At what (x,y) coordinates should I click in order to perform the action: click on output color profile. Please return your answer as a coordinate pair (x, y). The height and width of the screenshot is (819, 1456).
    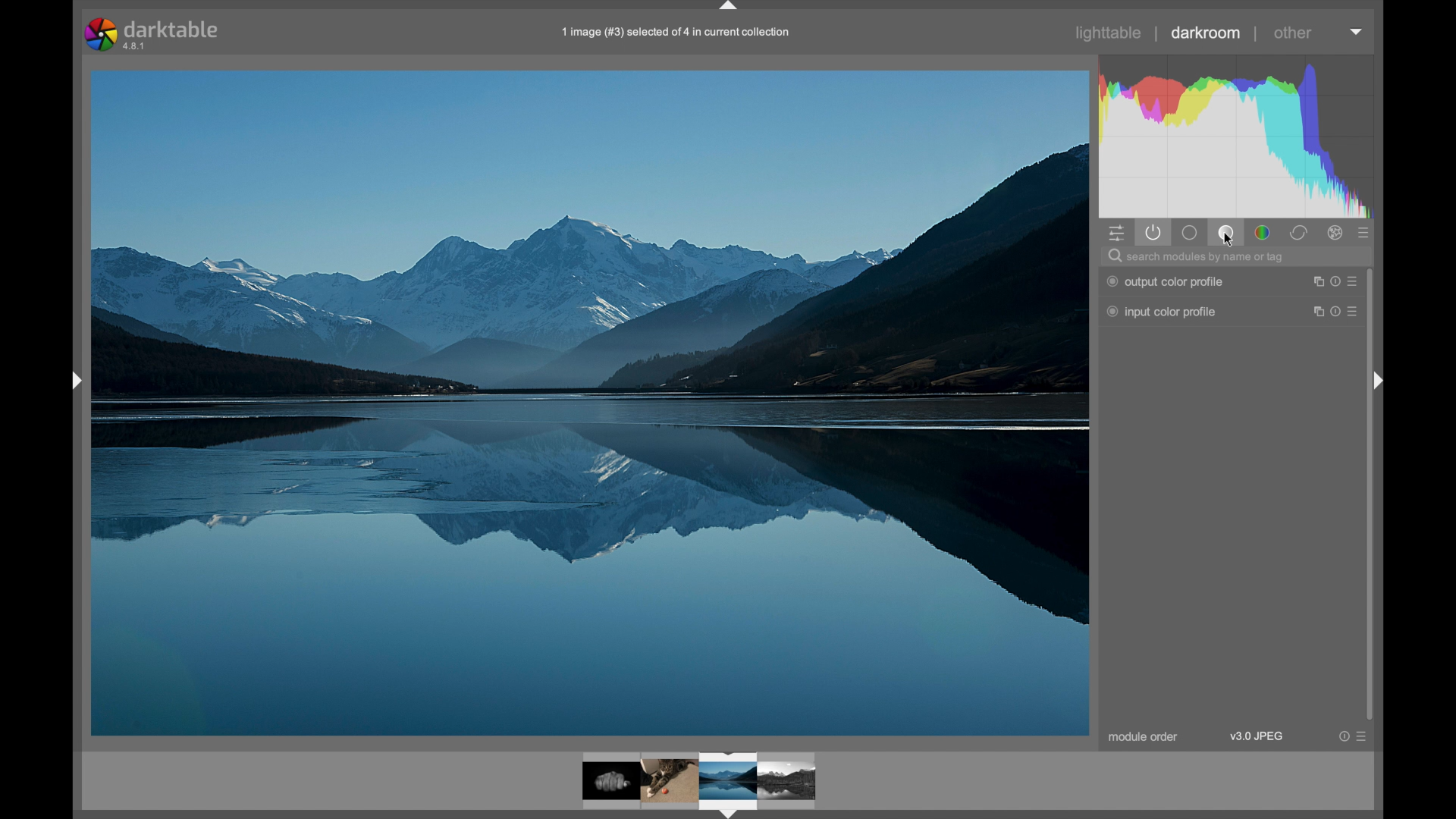
    Looking at the image, I should click on (1166, 283).